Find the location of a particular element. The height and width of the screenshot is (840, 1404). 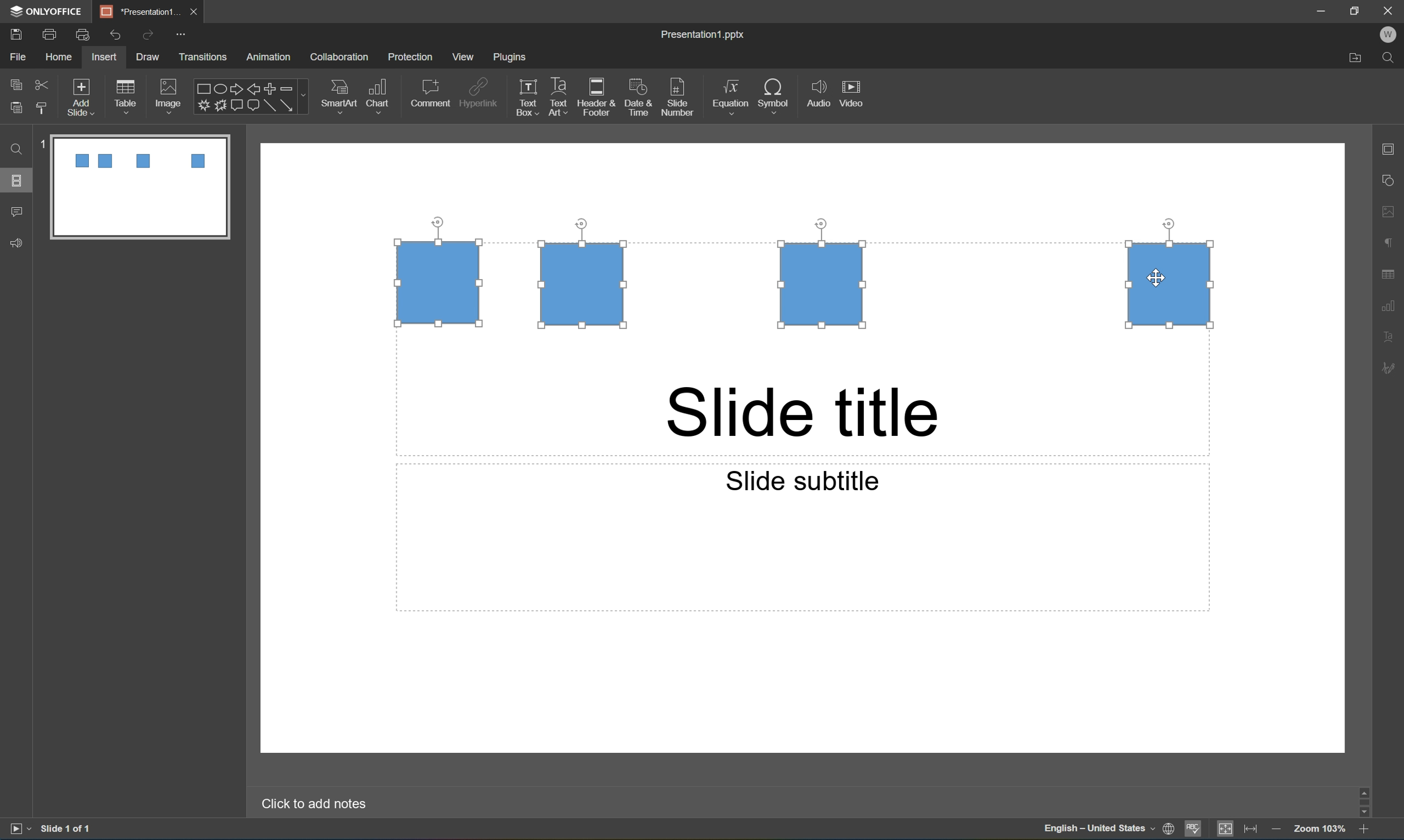

zoom in is located at coordinates (1363, 832).